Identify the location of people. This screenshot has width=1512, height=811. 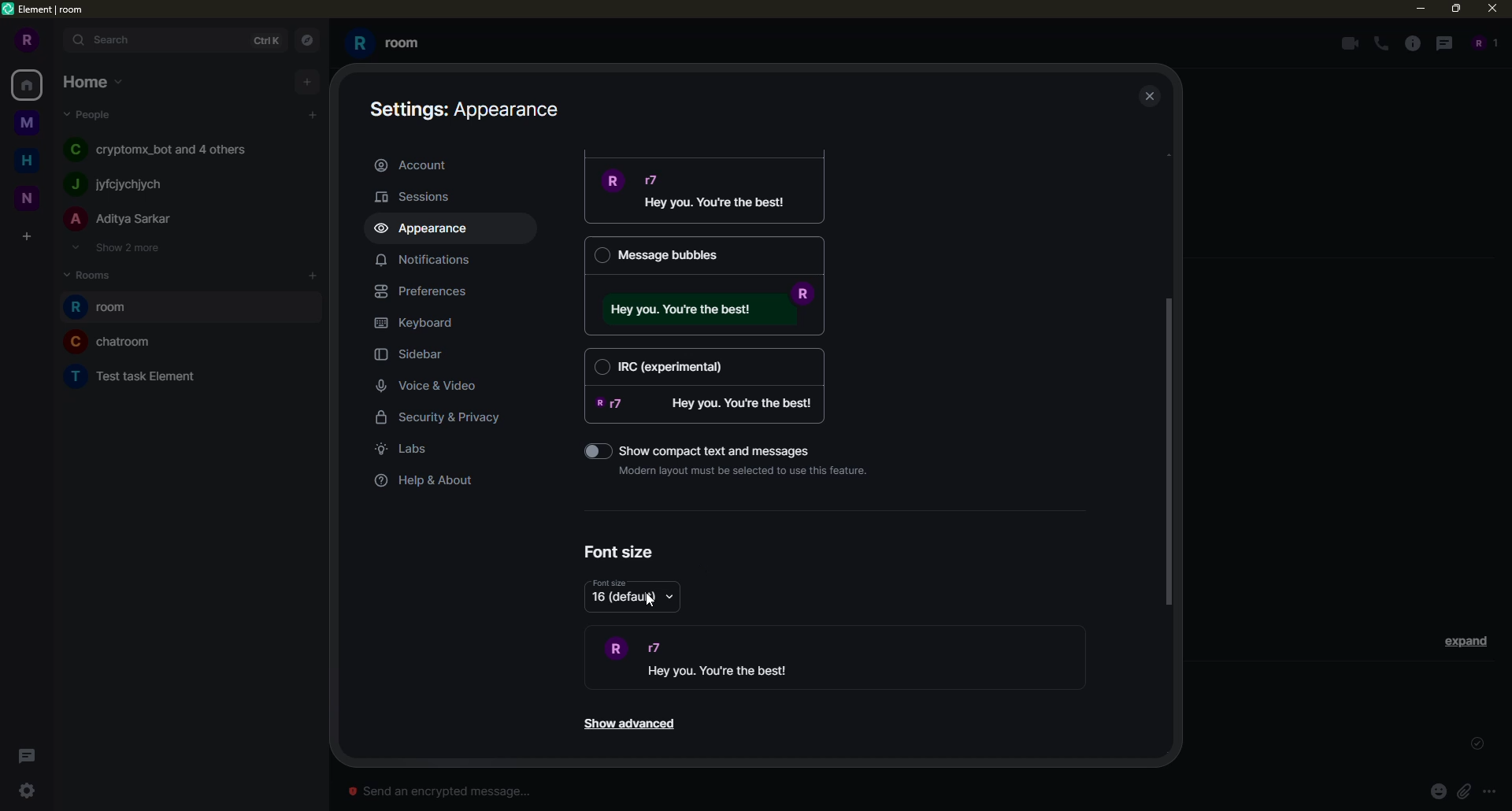
(91, 113).